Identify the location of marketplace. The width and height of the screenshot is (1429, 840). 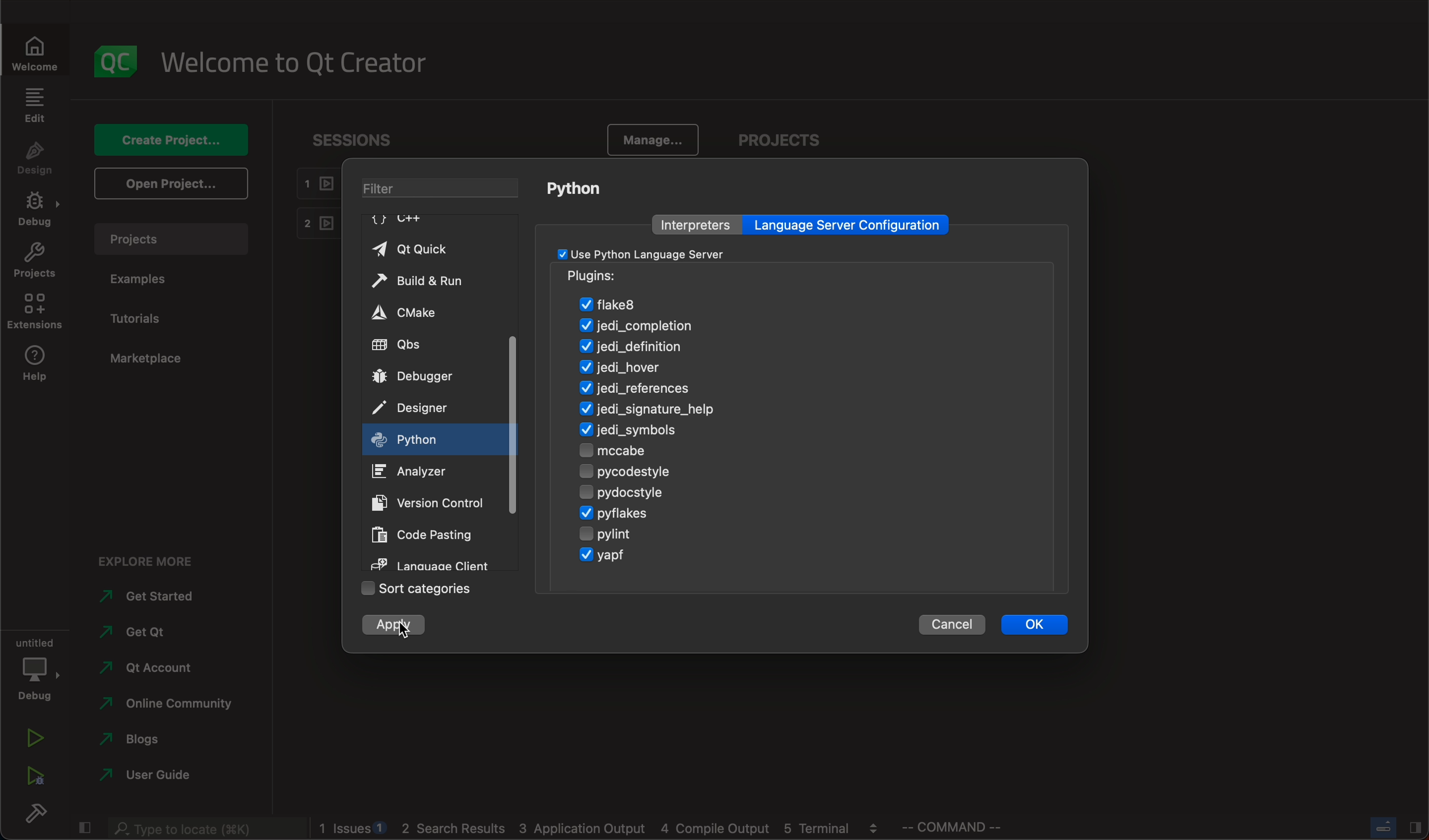
(153, 360).